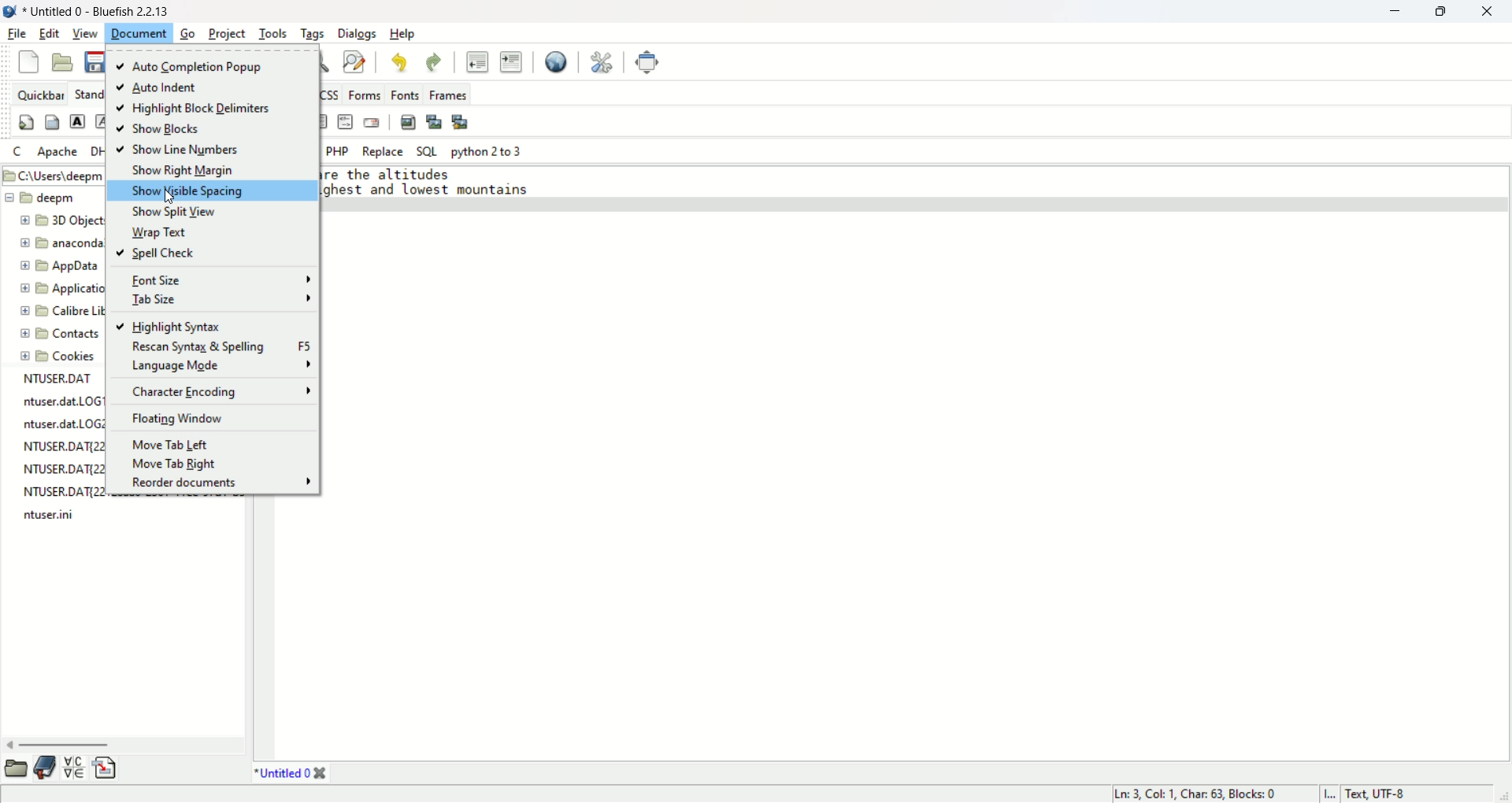 The width and height of the screenshot is (1512, 803). What do you see at coordinates (477, 62) in the screenshot?
I see `unindent` at bounding box center [477, 62].